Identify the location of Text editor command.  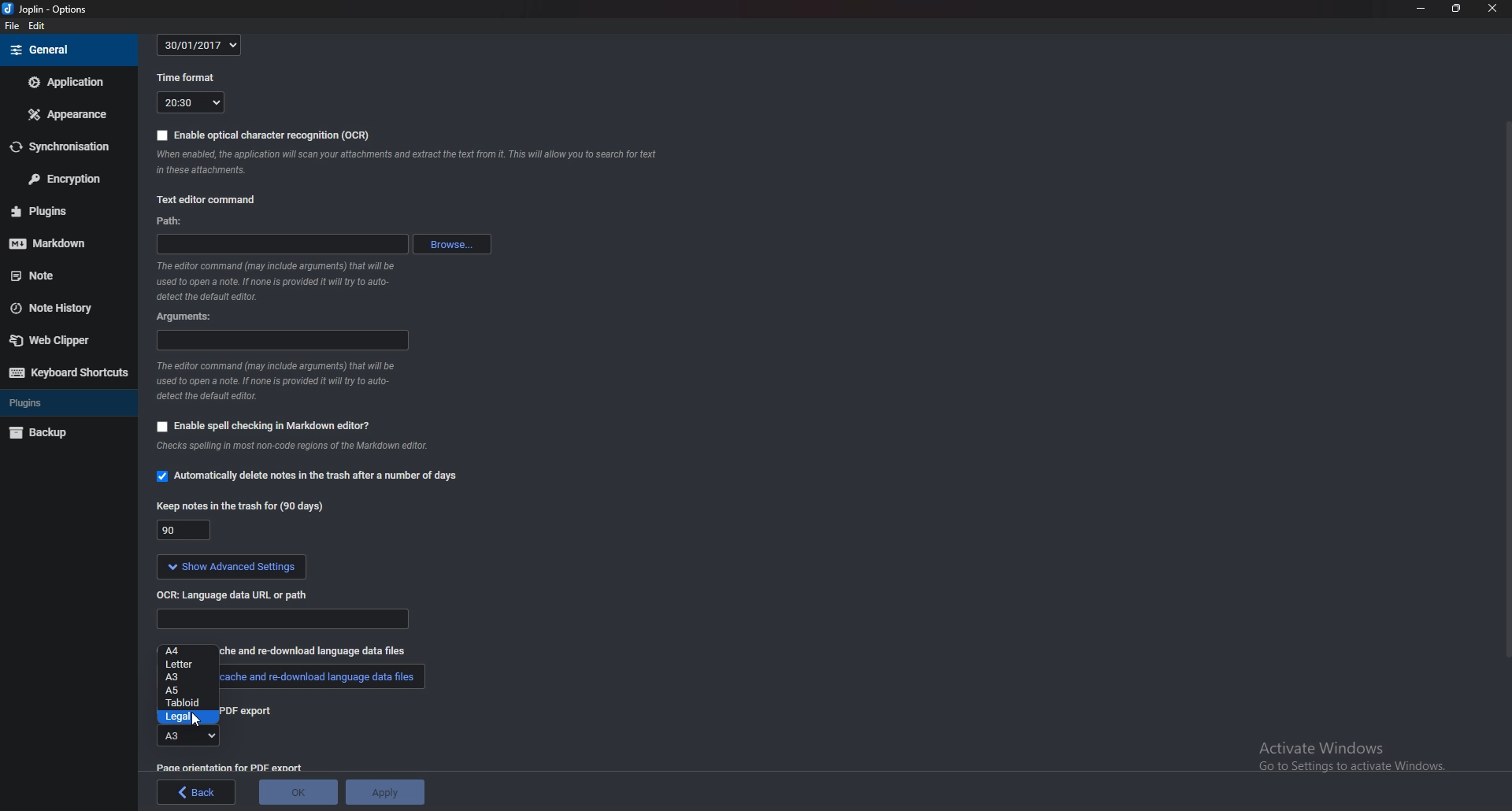
(208, 200).